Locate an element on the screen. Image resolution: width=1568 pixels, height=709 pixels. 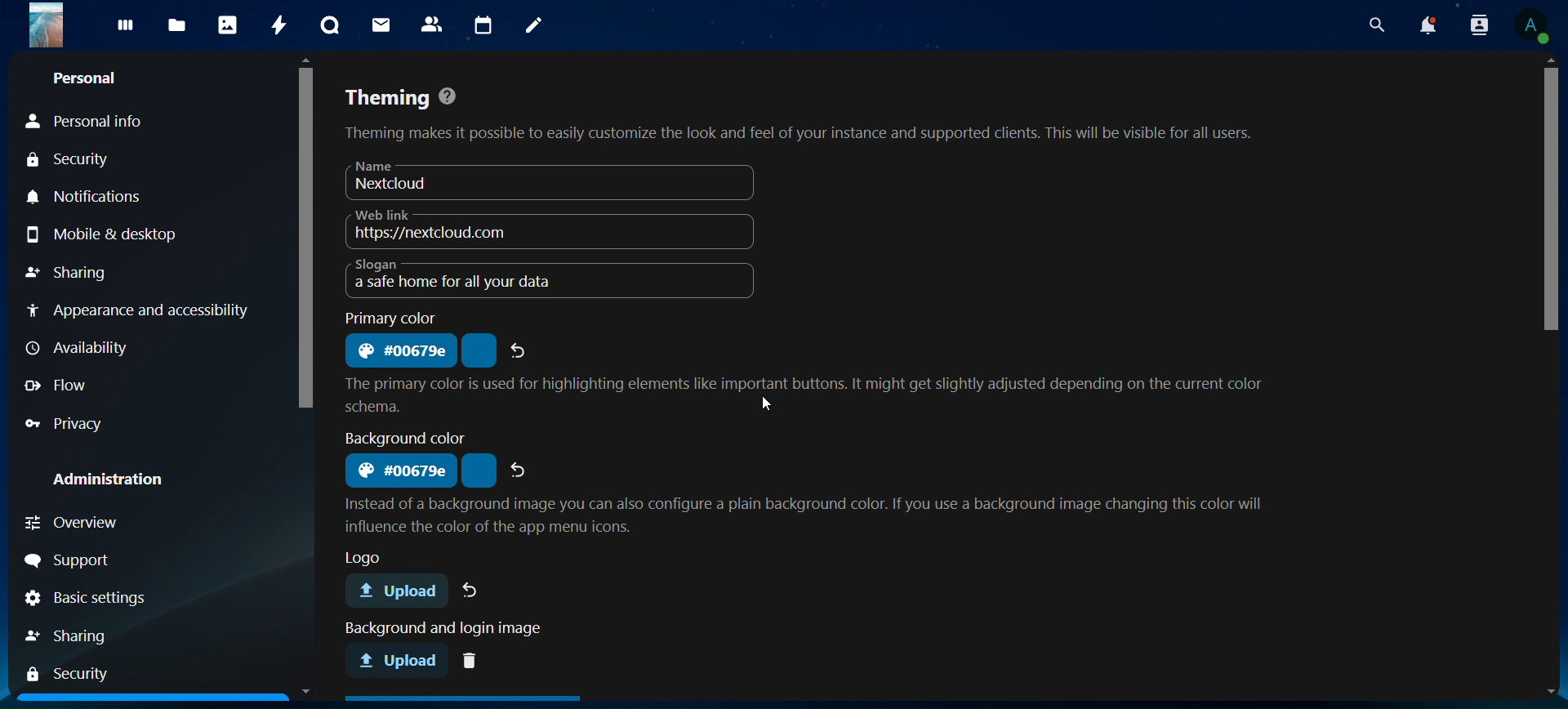
background and login image upload is located at coordinates (399, 659).